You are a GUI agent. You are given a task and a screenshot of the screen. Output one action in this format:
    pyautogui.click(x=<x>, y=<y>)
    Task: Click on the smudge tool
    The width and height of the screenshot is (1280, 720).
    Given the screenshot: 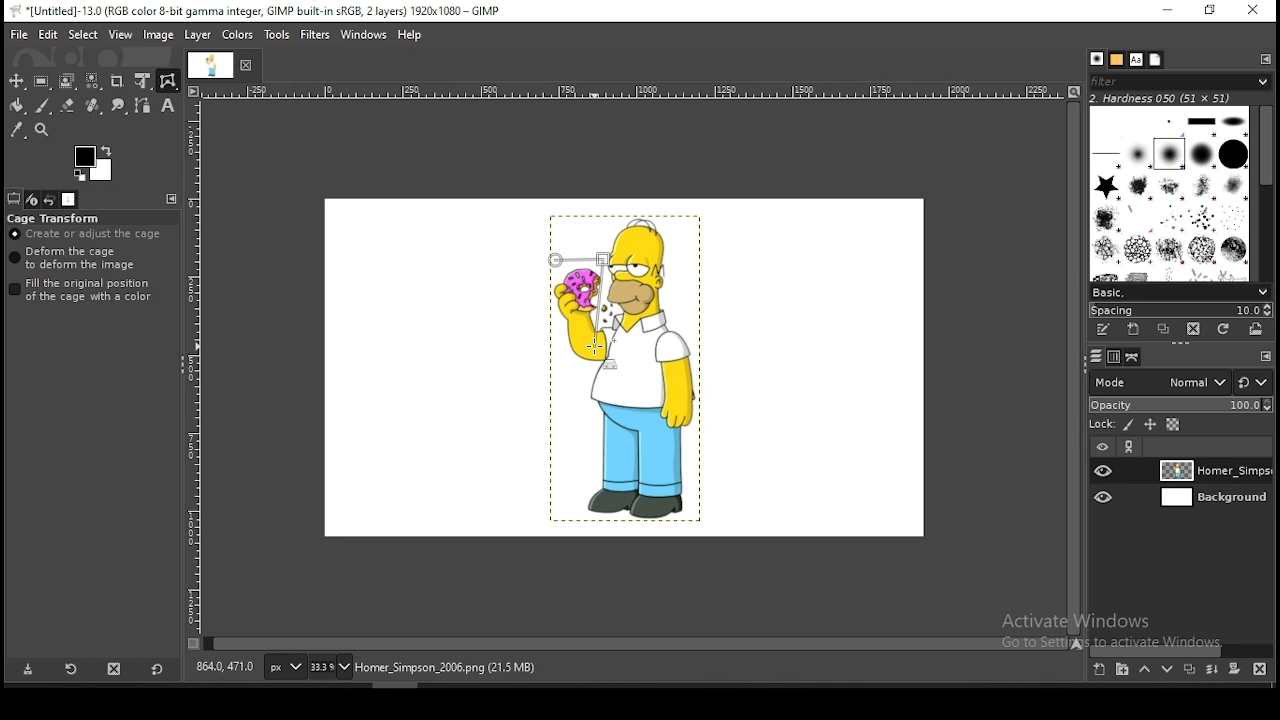 What is the action you would take?
    pyautogui.click(x=117, y=105)
    